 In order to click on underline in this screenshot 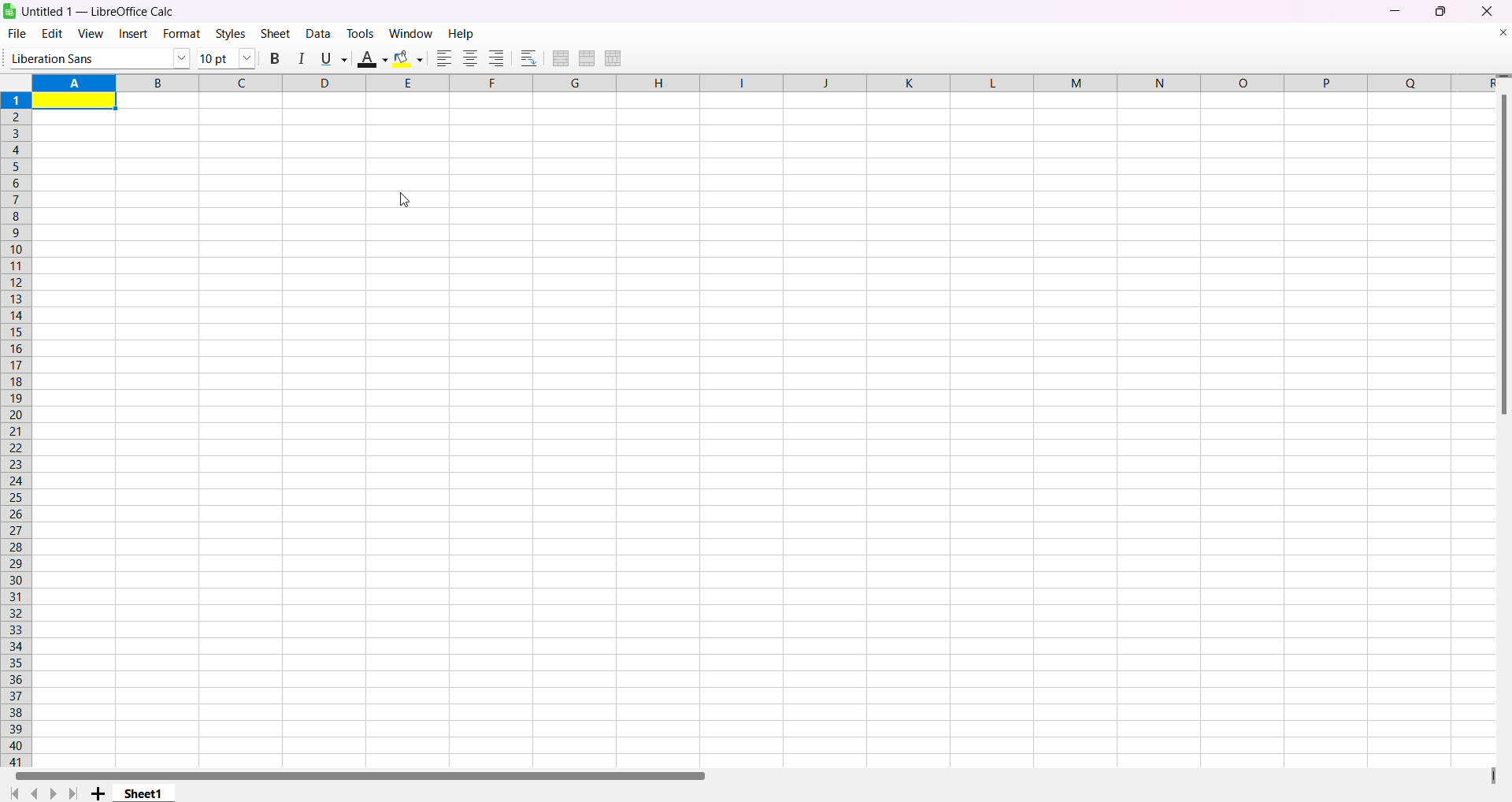, I will do `click(330, 58)`.